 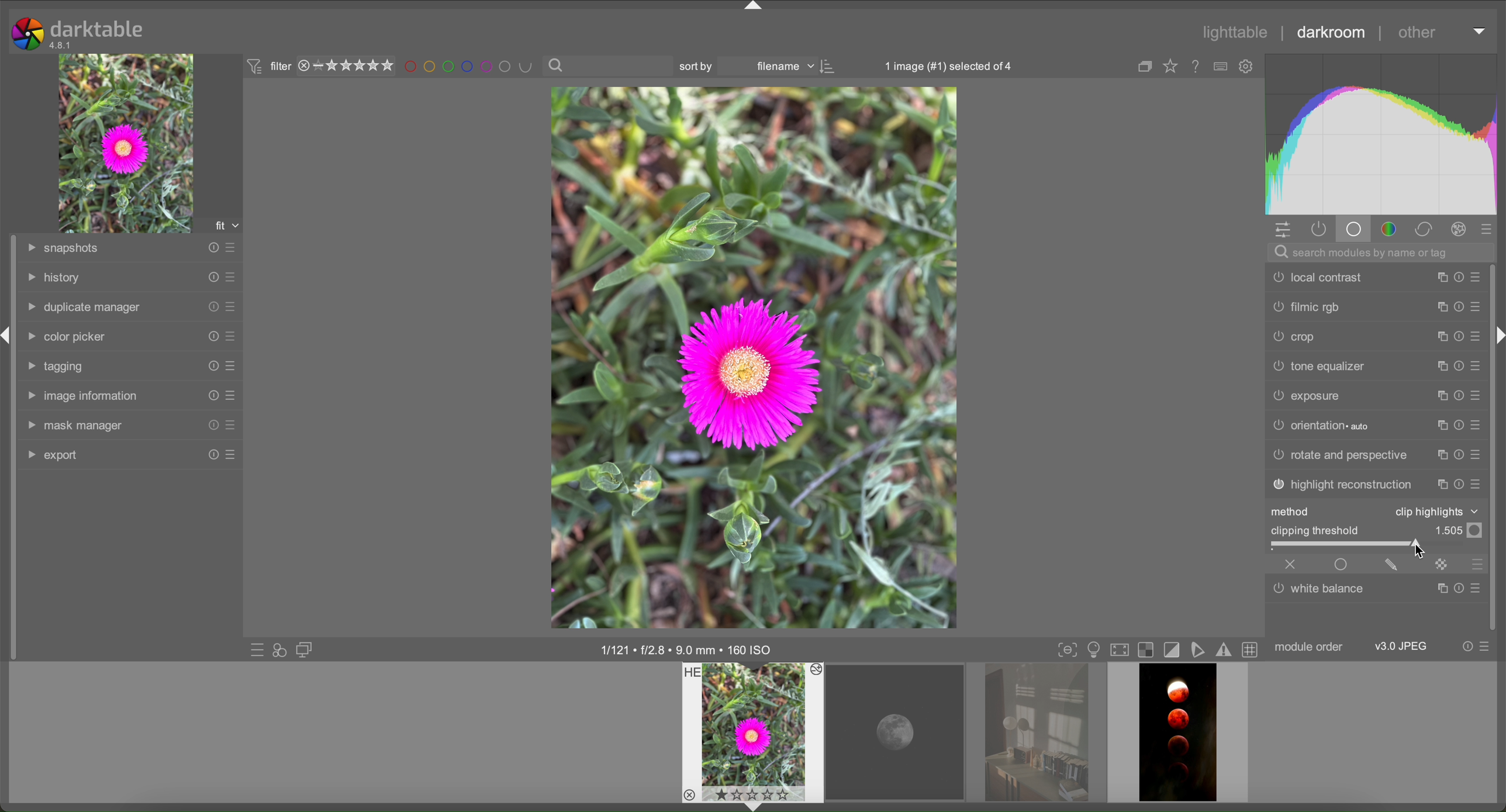 I want to click on reset presets, so click(x=212, y=277).